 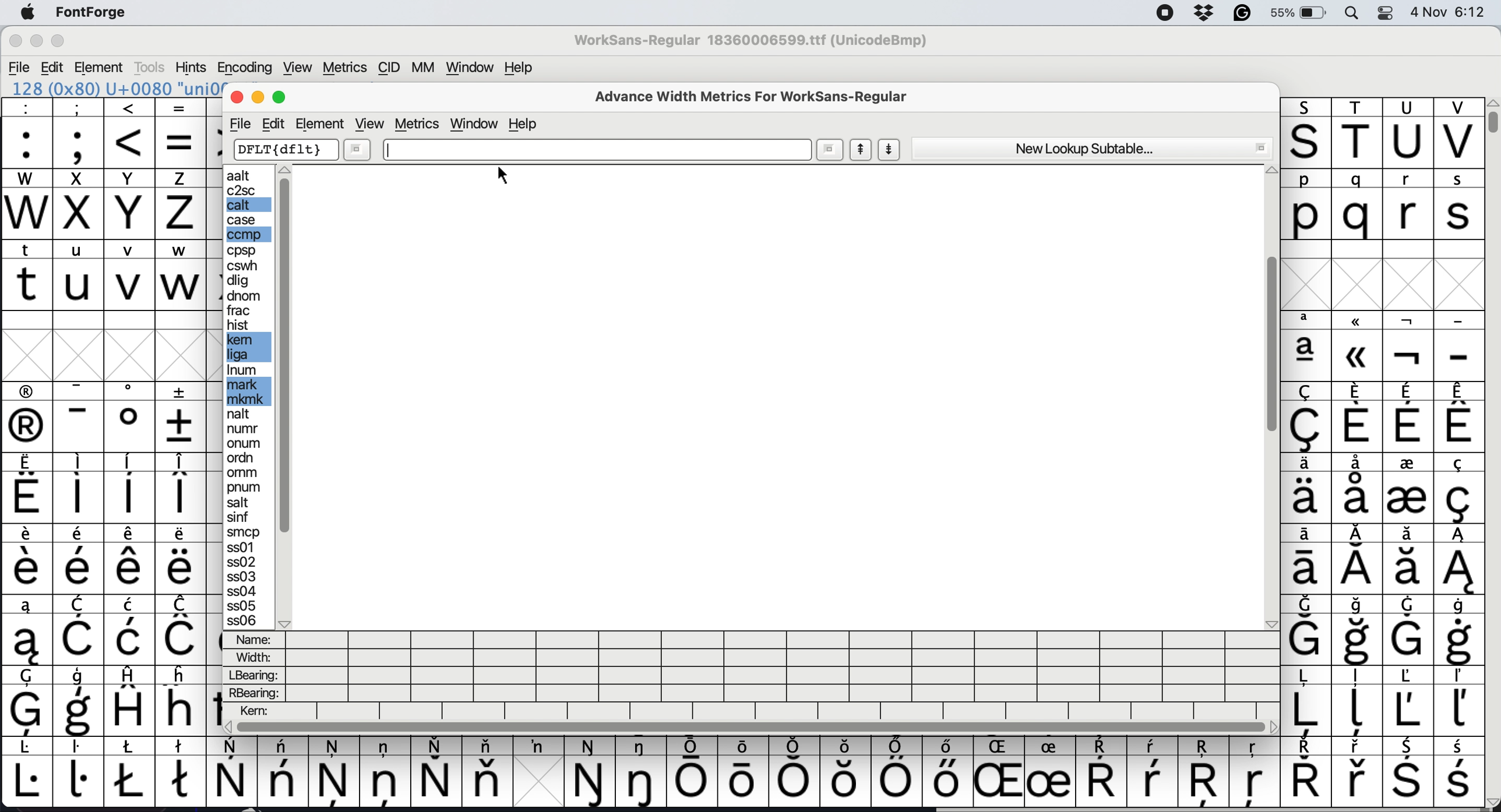 What do you see at coordinates (1389, 13) in the screenshot?
I see `control center` at bounding box center [1389, 13].